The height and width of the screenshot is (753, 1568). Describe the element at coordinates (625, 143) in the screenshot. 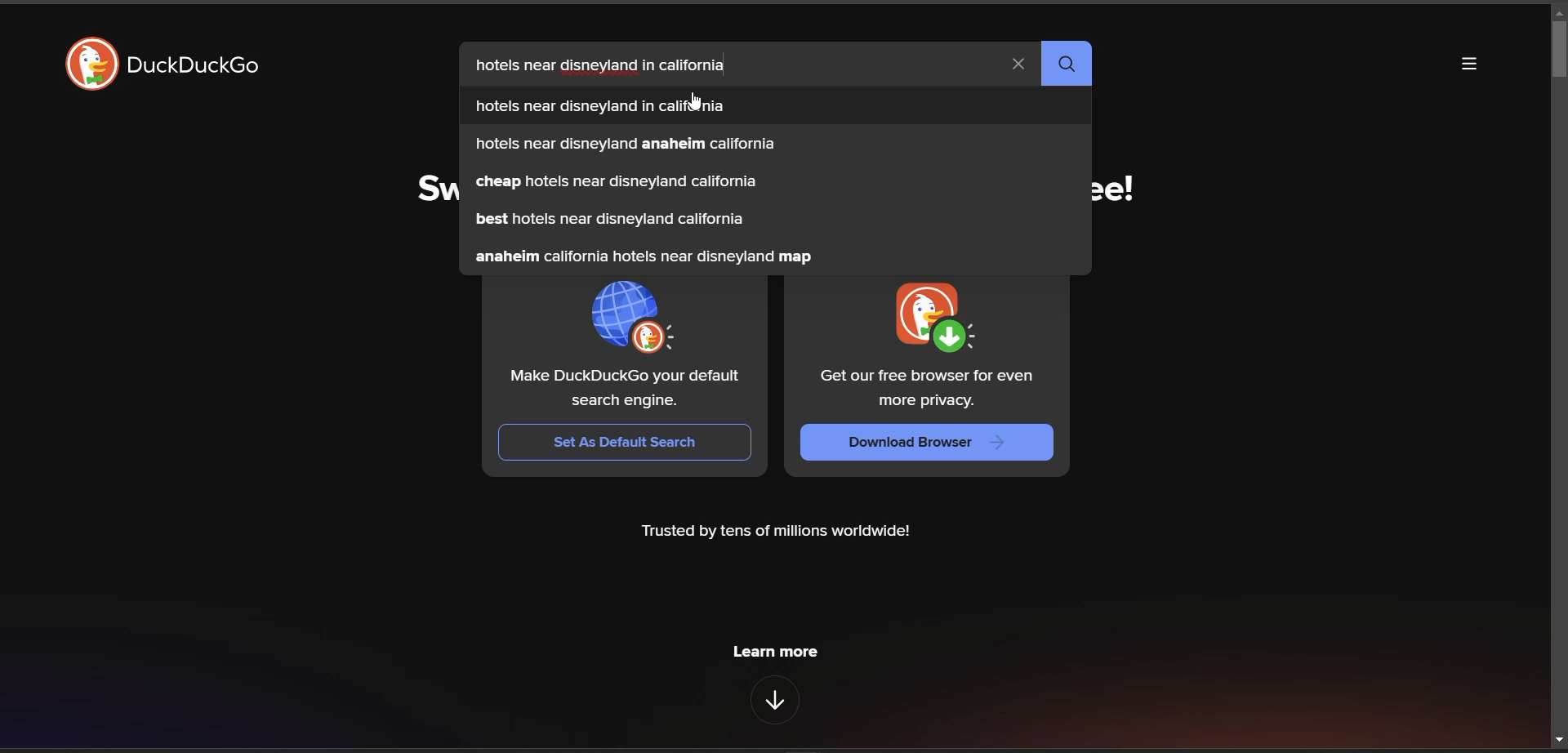

I see `hotels near disneyland anaheim california` at that location.